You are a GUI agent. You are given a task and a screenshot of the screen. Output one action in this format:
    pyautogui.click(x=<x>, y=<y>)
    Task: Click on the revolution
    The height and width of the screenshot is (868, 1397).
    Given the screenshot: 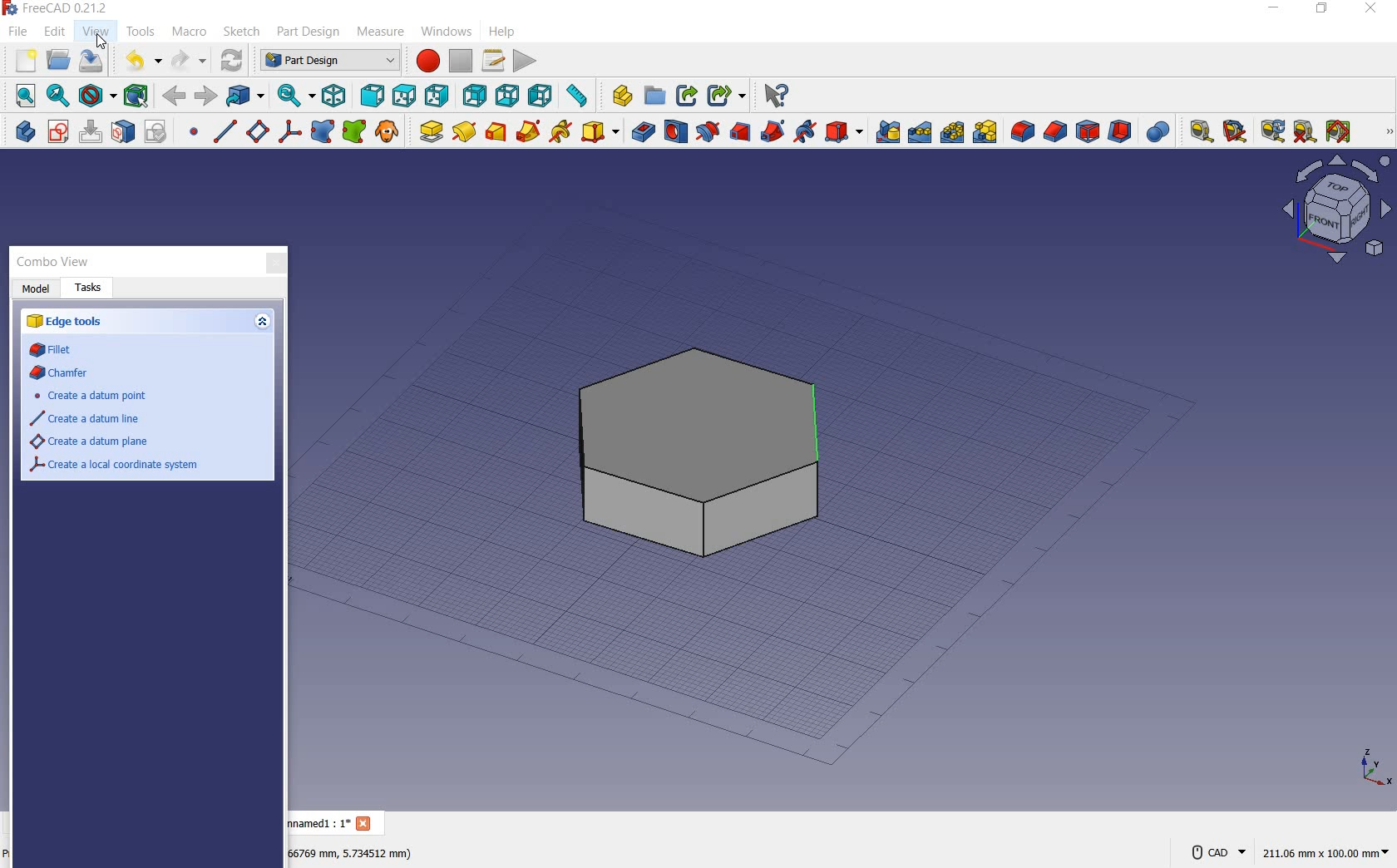 What is the action you would take?
    pyautogui.click(x=464, y=131)
    